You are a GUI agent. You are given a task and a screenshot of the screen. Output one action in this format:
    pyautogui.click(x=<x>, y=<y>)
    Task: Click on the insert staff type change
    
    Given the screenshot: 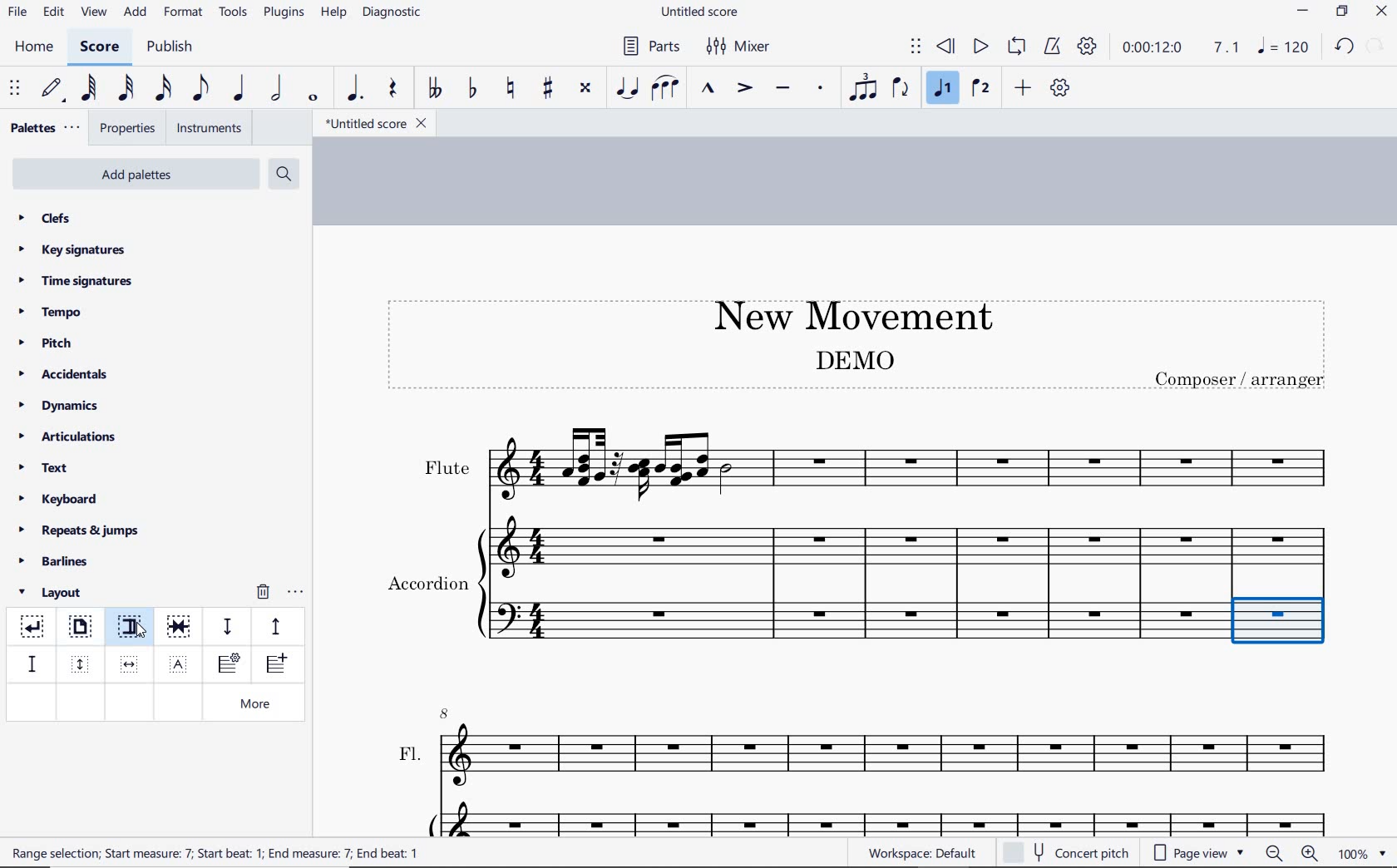 What is the action you would take?
    pyautogui.click(x=229, y=664)
    